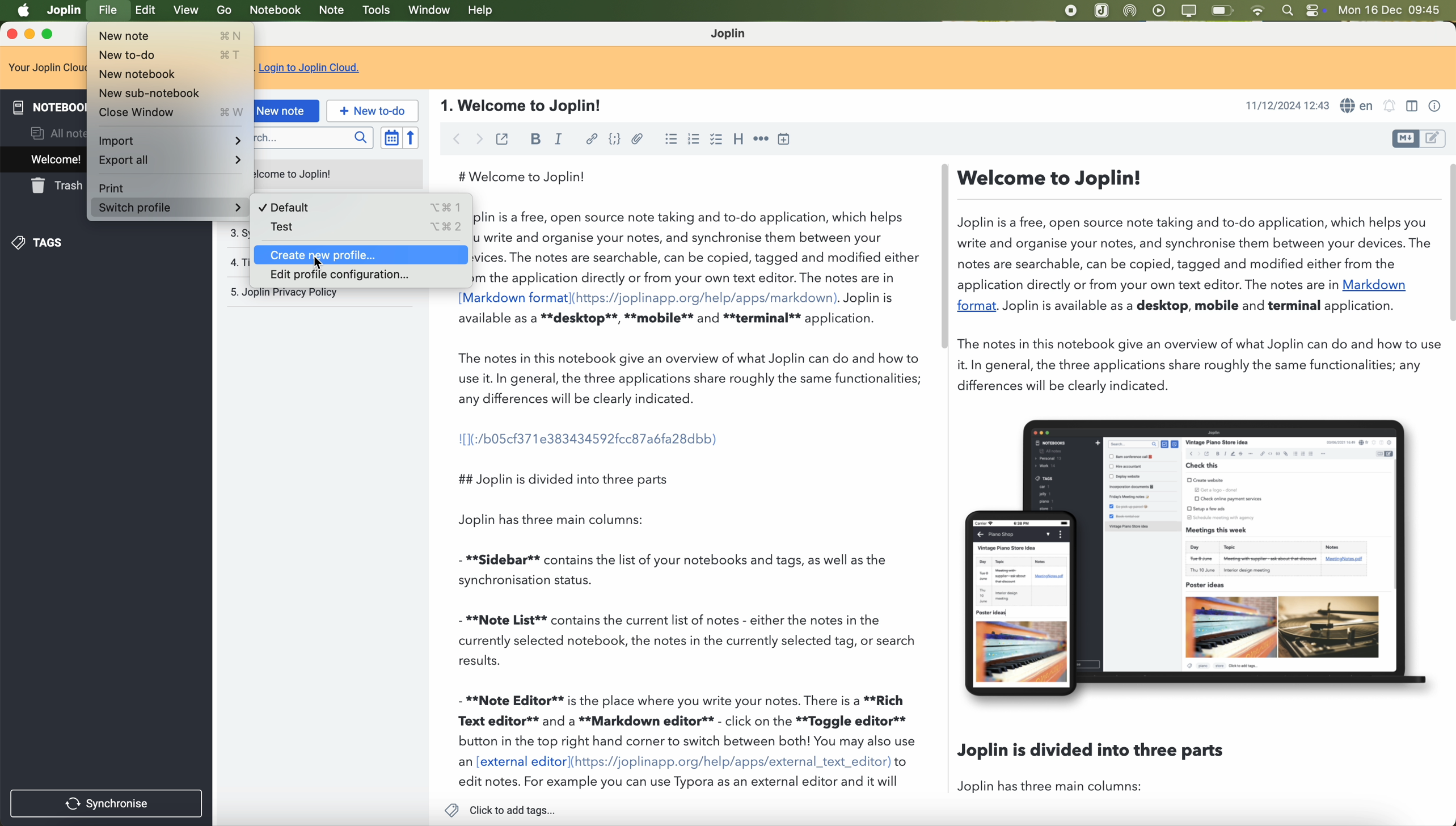  What do you see at coordinates (513, 762) in the screenshot?
I see `an [external editor]` at bounding box center [513, 762].